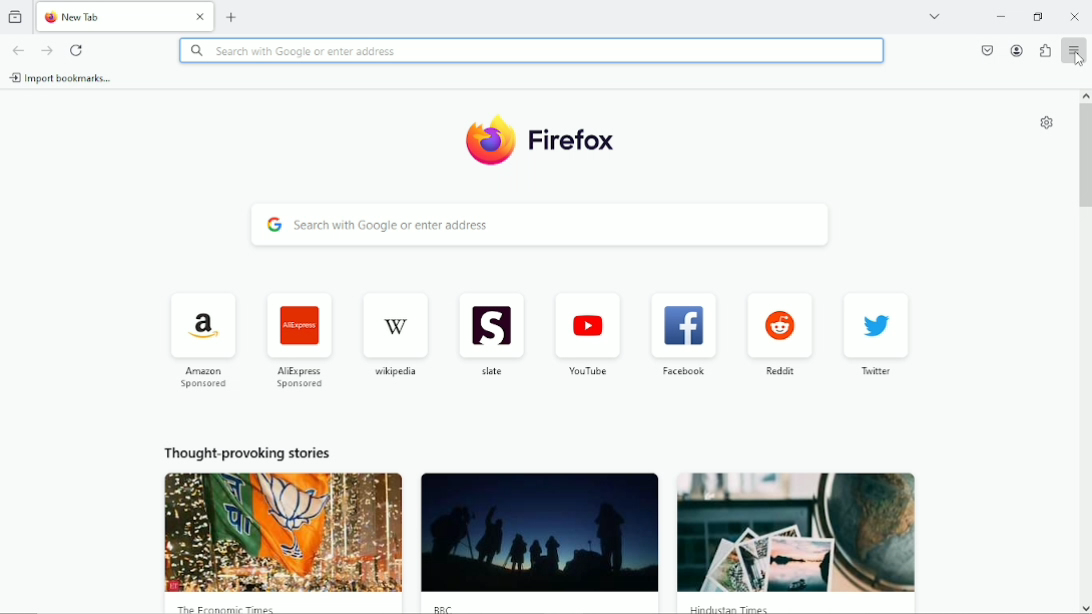 Image resolution: width=1092 pixels, height=614 pixels. Describe the element at coordinates (1018, 51) in the screenshot. I see `Account` at that location.